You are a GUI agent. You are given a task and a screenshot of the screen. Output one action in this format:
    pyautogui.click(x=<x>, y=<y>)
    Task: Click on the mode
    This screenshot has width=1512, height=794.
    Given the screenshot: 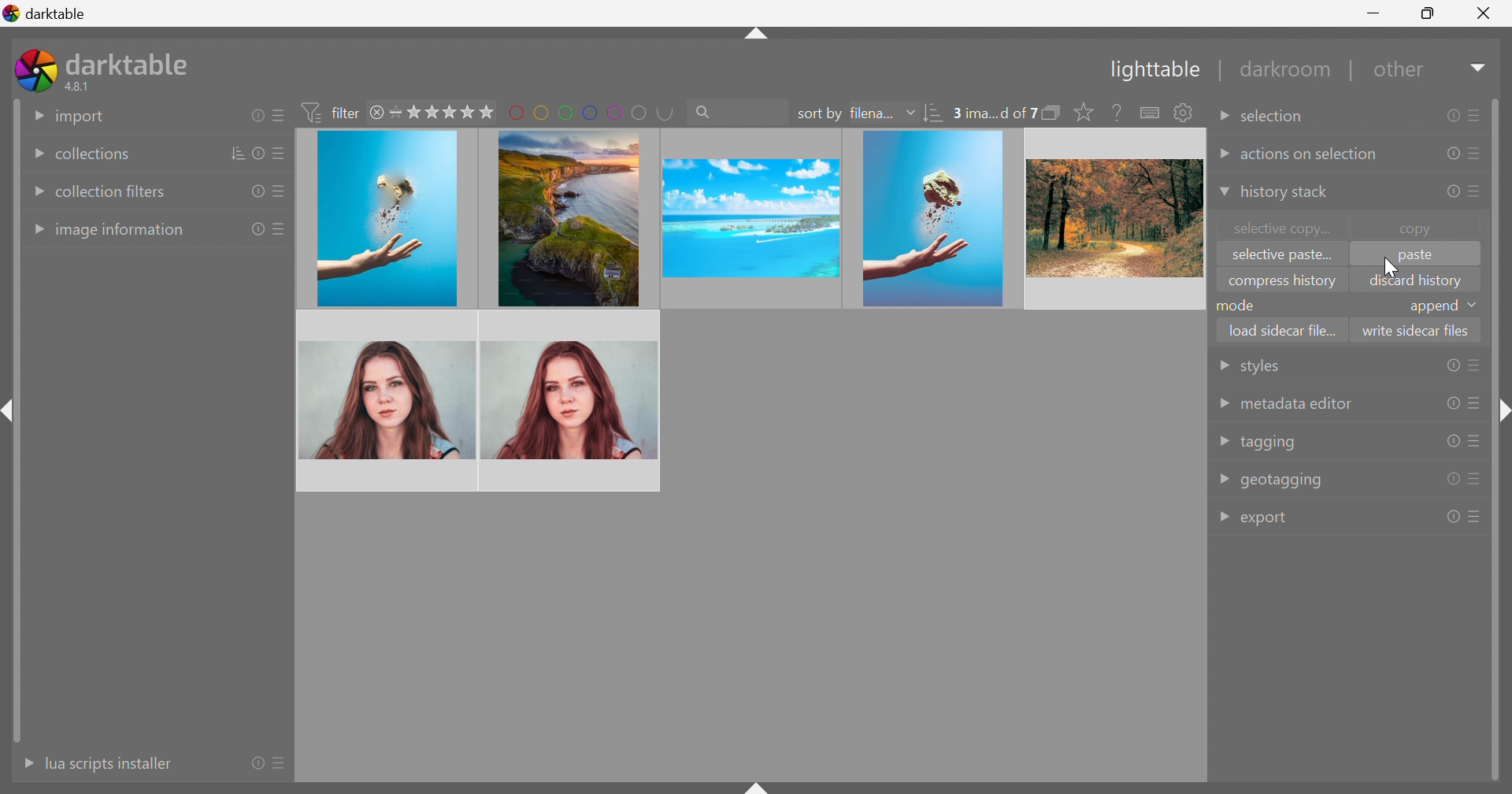 What is the action you would take?
    pyautogui.click(x=1240, y=305)
    